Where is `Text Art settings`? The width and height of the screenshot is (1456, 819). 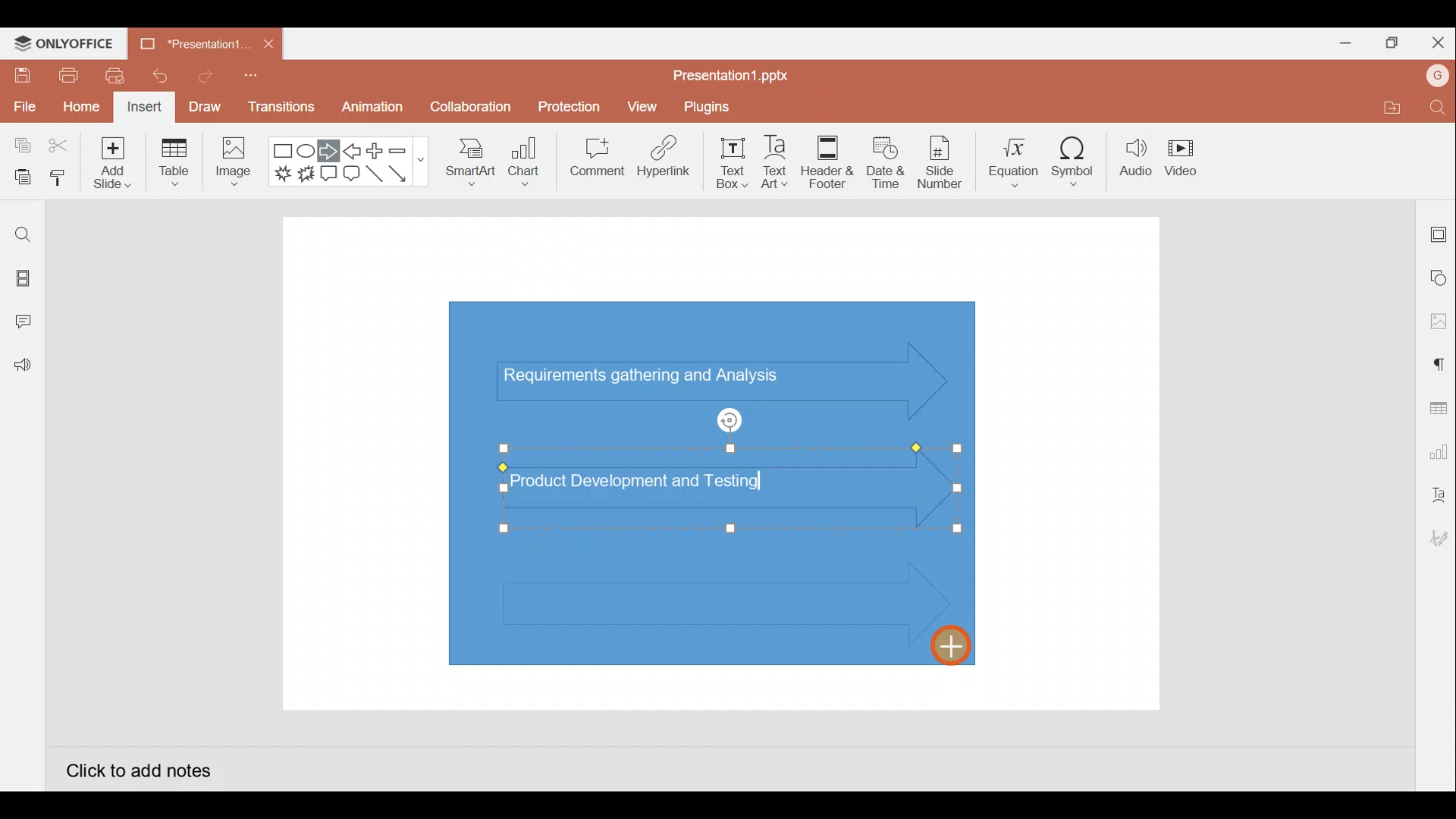 Text Art settings is located at coordinates (1437, 495).